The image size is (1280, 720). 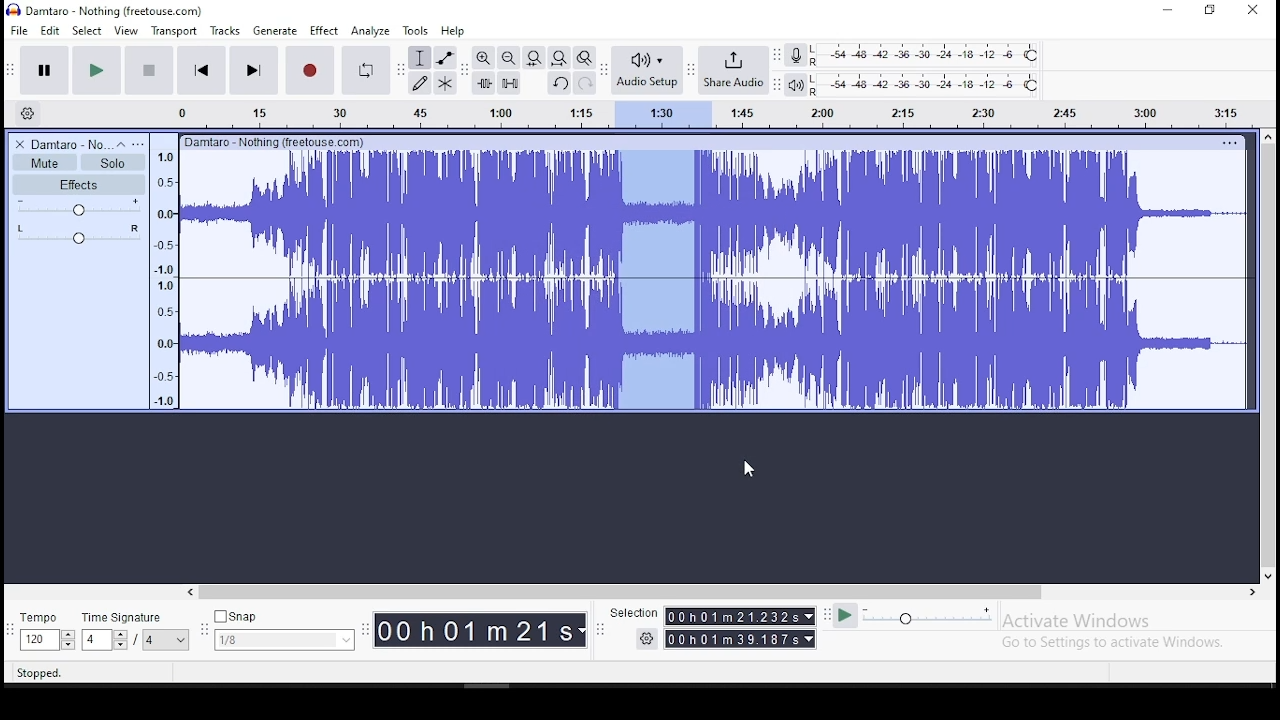 I want to click on multi tool, so click(x=445, y=82).